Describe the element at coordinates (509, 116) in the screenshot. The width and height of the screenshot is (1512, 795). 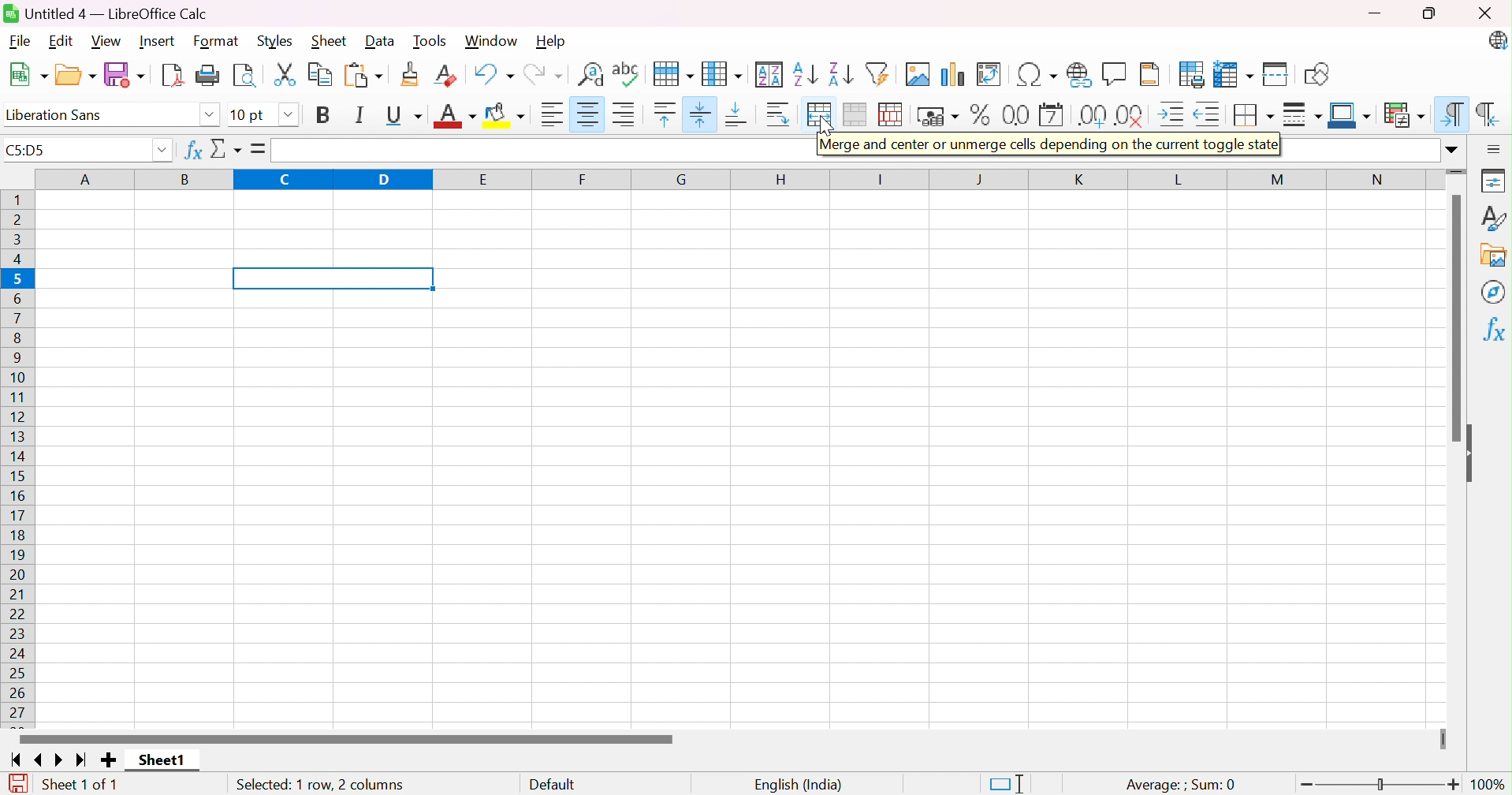
I see `Background Color` at that location.